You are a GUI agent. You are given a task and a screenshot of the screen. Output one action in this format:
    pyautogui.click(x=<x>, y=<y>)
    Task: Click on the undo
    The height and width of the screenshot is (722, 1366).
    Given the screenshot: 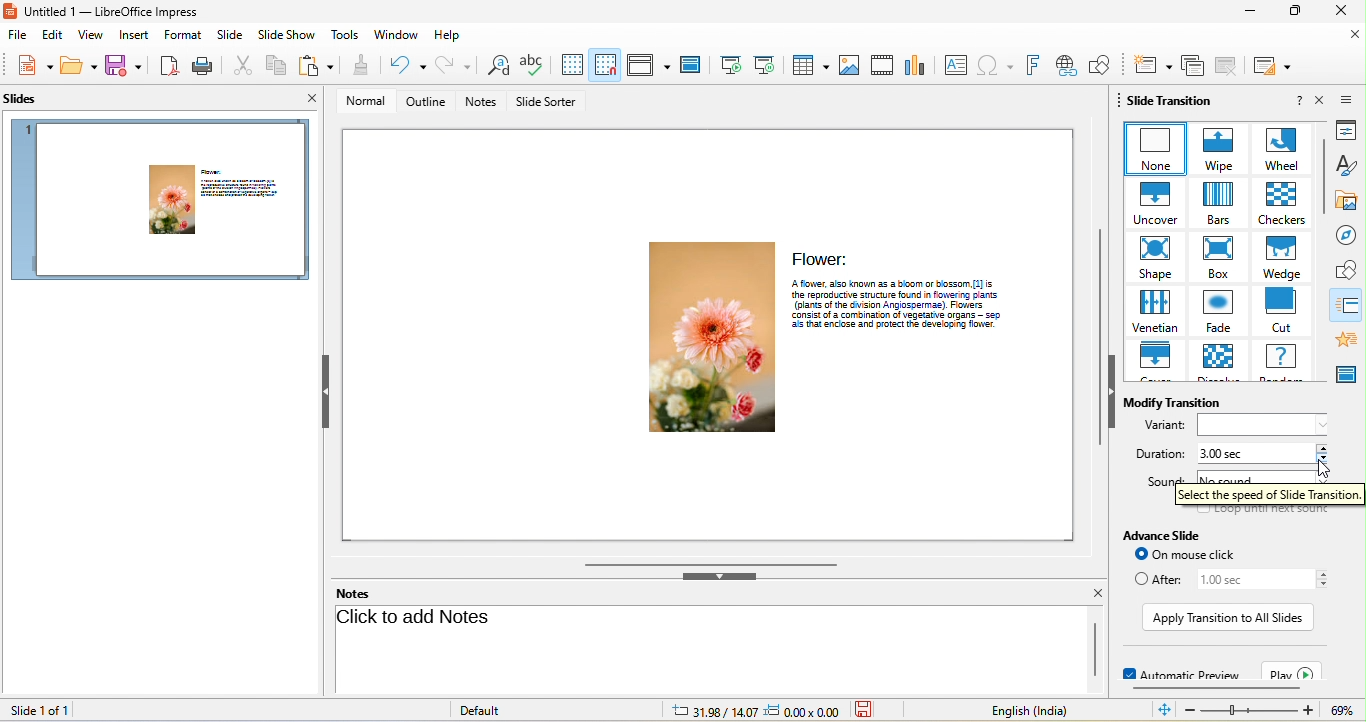 What is the action you would take?
    pyautogui.click(x=405, y=65)
    